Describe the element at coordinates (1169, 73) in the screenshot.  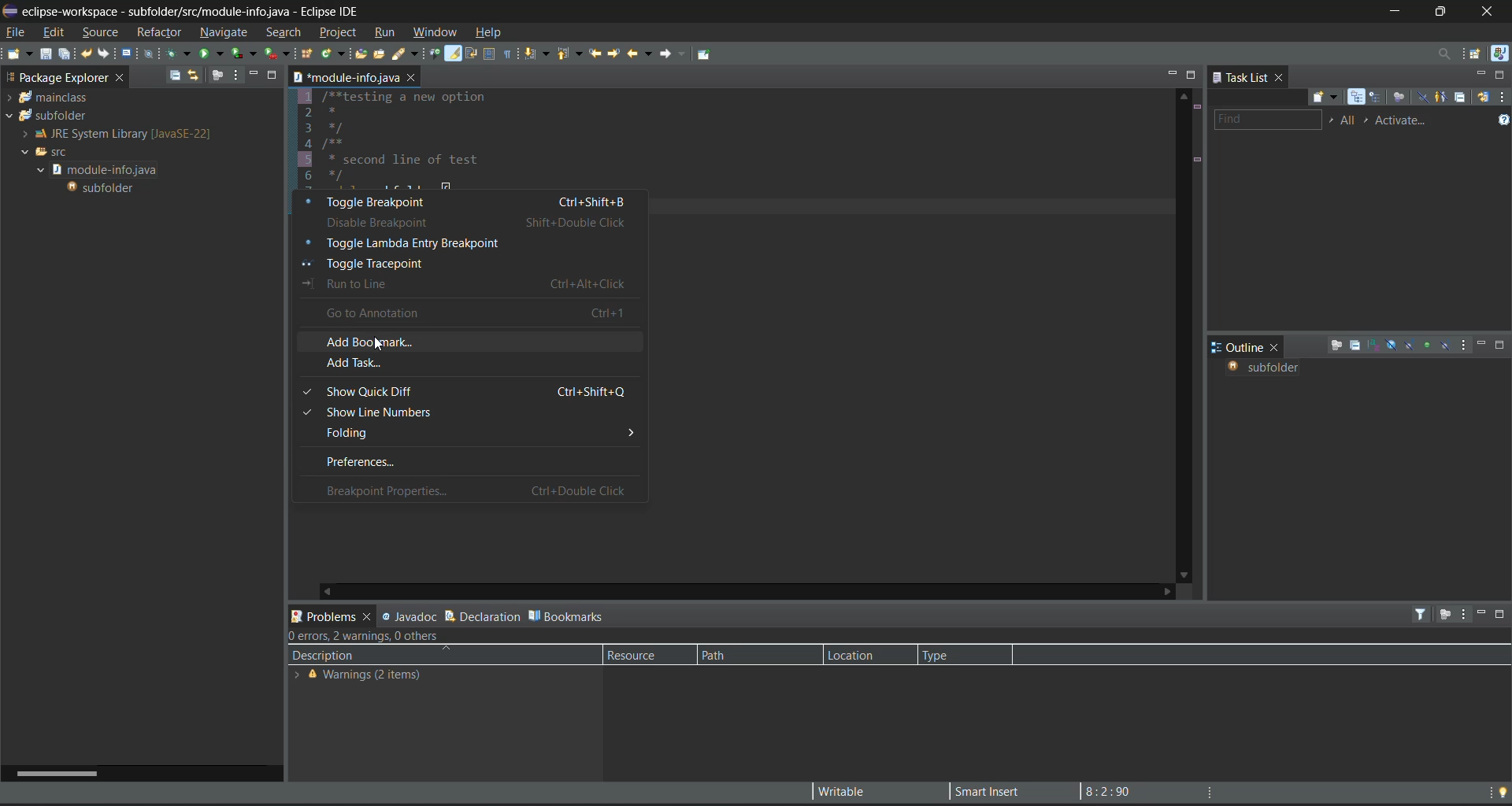
I see `minimize` at that location.